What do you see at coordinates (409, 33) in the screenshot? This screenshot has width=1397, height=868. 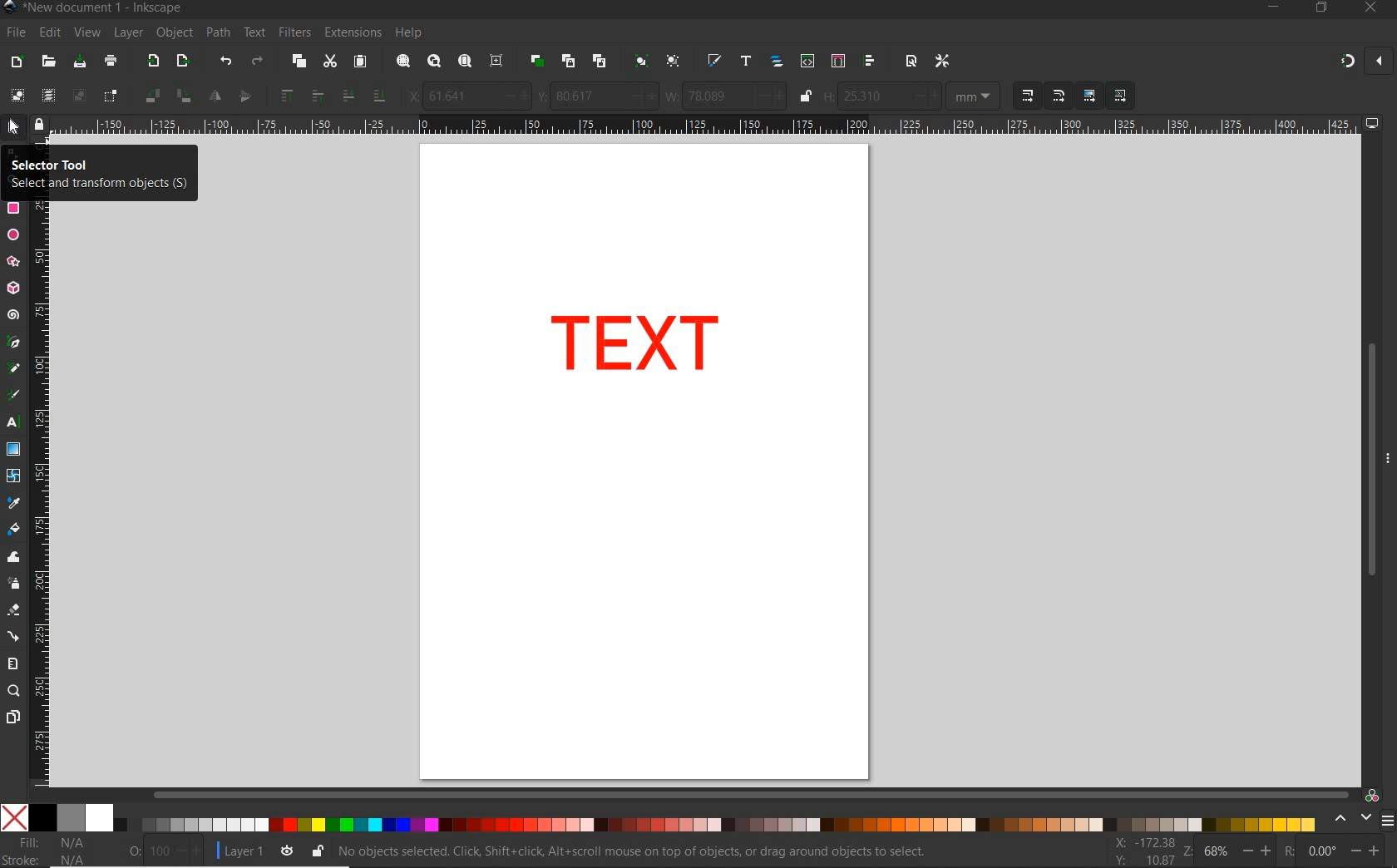 I see `help` at bounding box center [409, 33].